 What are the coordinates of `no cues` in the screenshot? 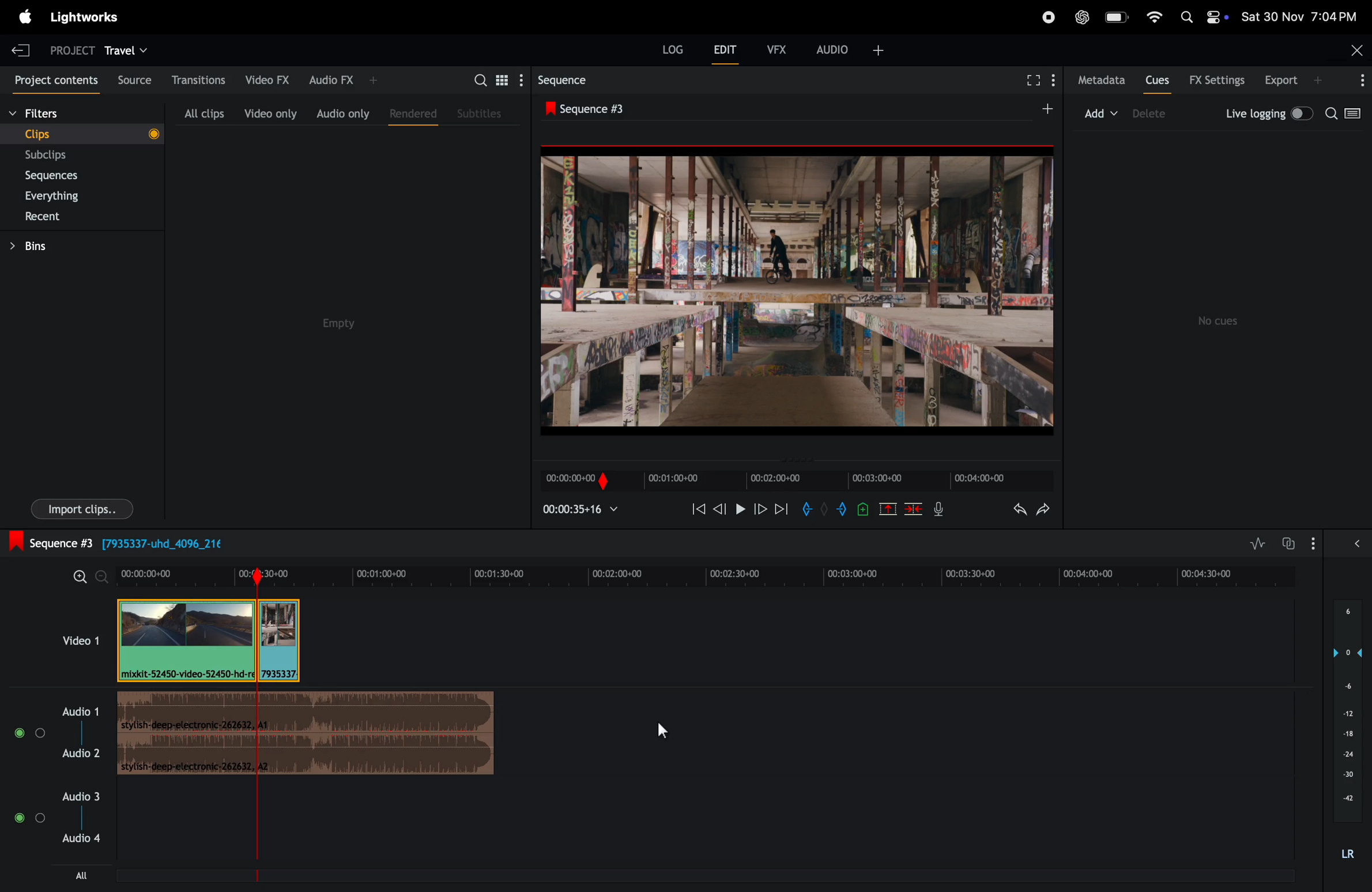 It's located at (1222, 321).